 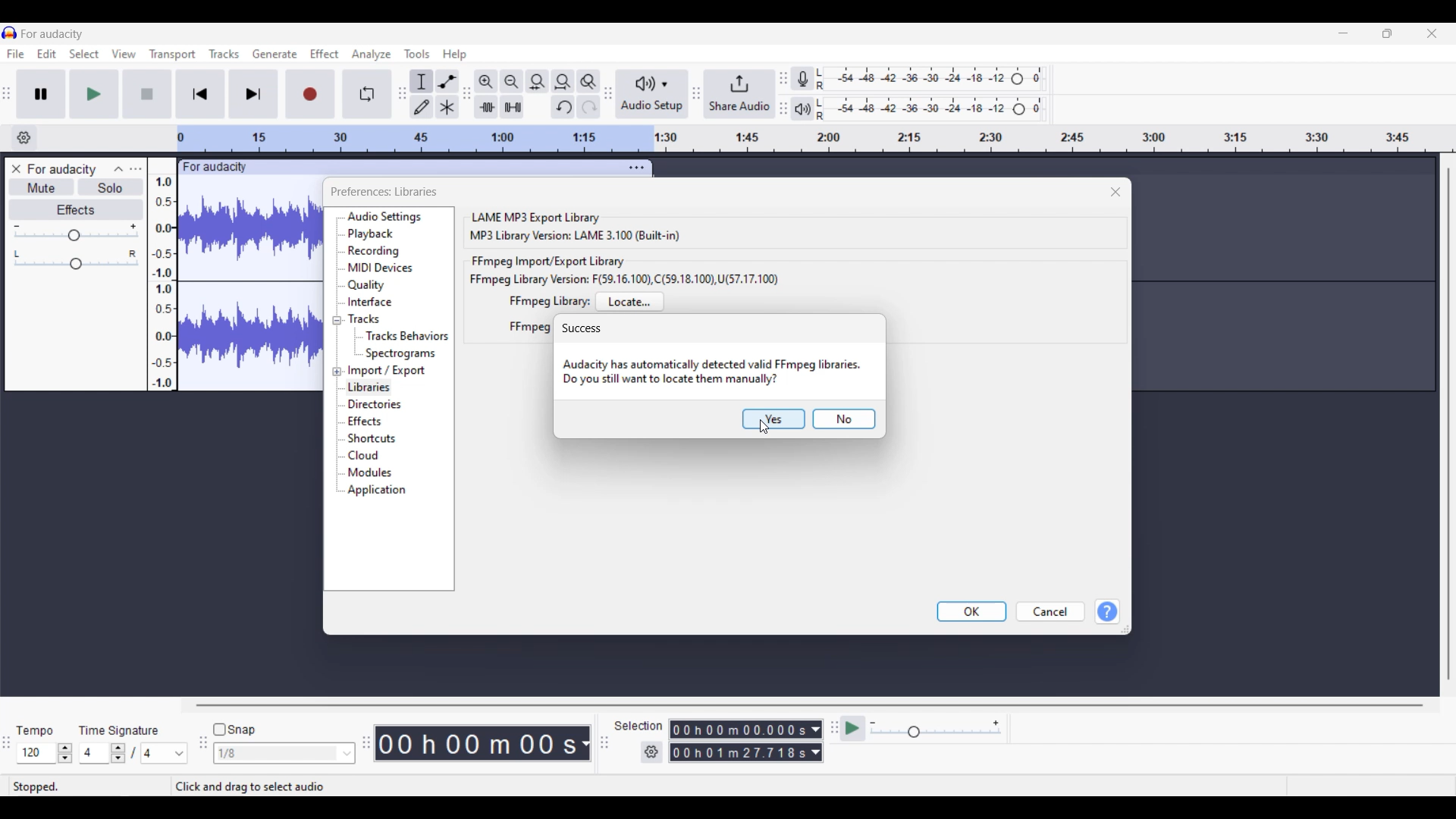 I want to click on Analyze menu, so click(x=372, y=55).